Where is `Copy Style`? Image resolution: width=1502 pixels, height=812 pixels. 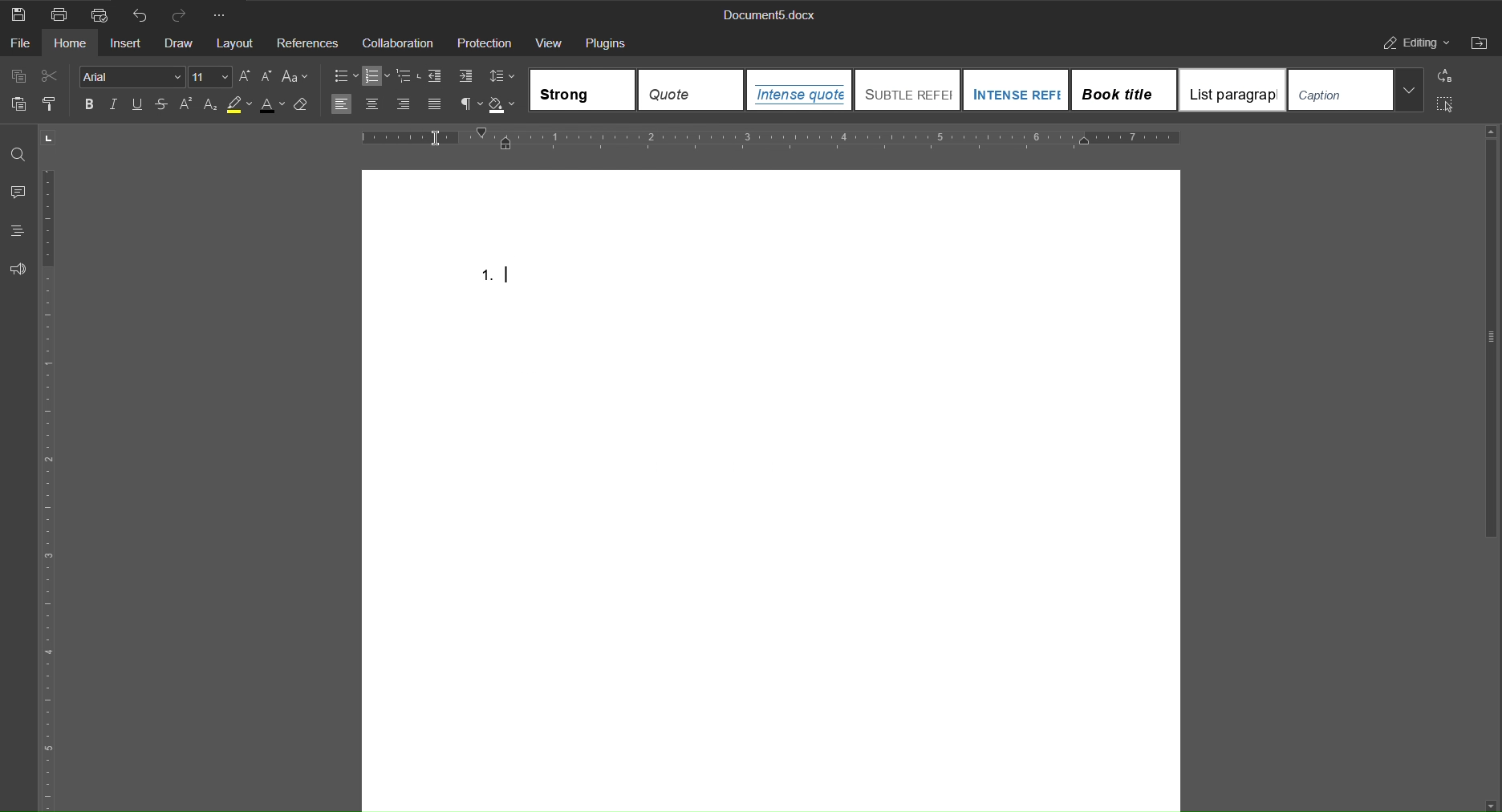
Copy Style is located at coordinates (55, 105).